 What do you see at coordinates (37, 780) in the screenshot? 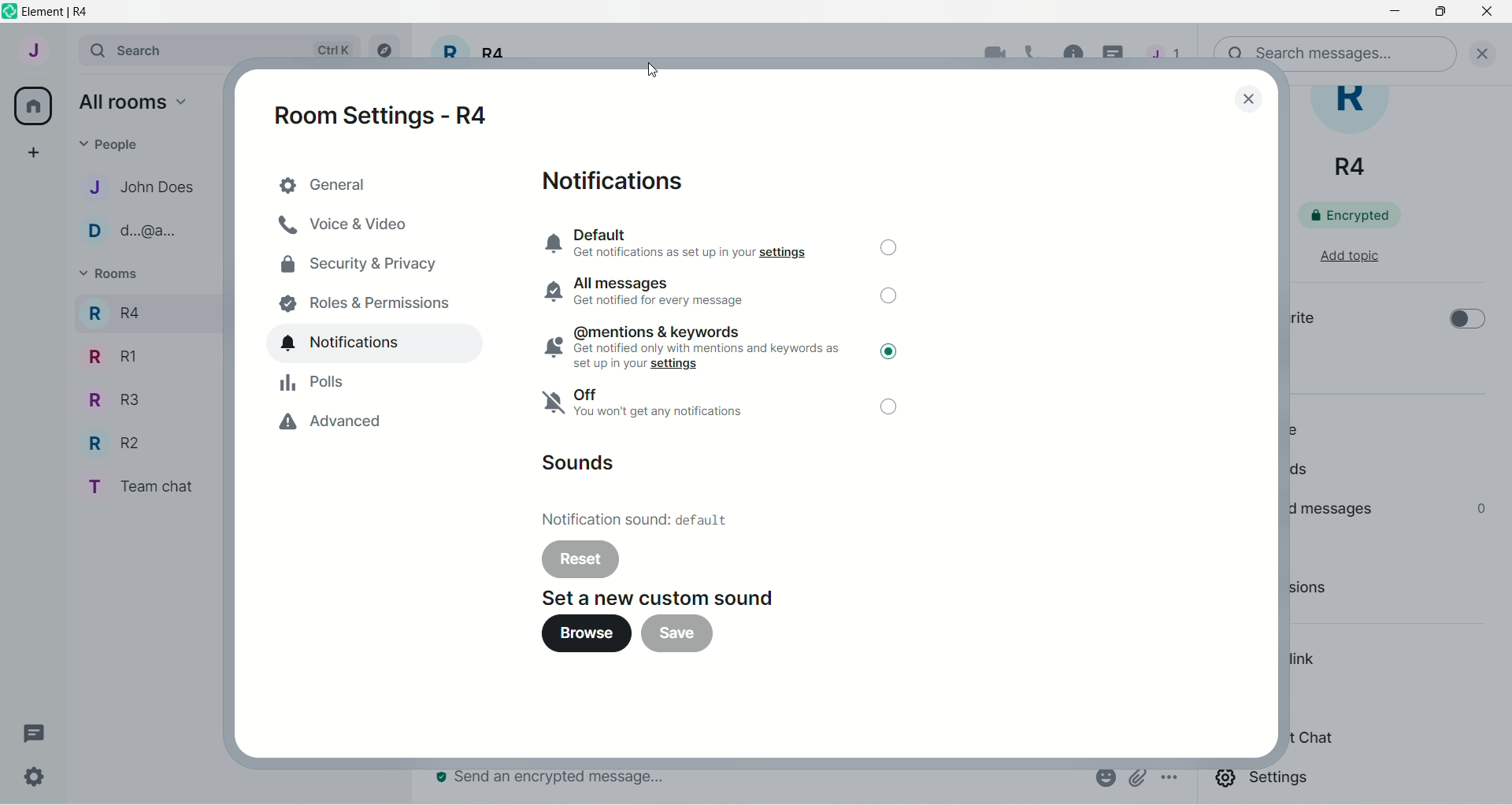
I see `settings` at bounding box center [37, 780].